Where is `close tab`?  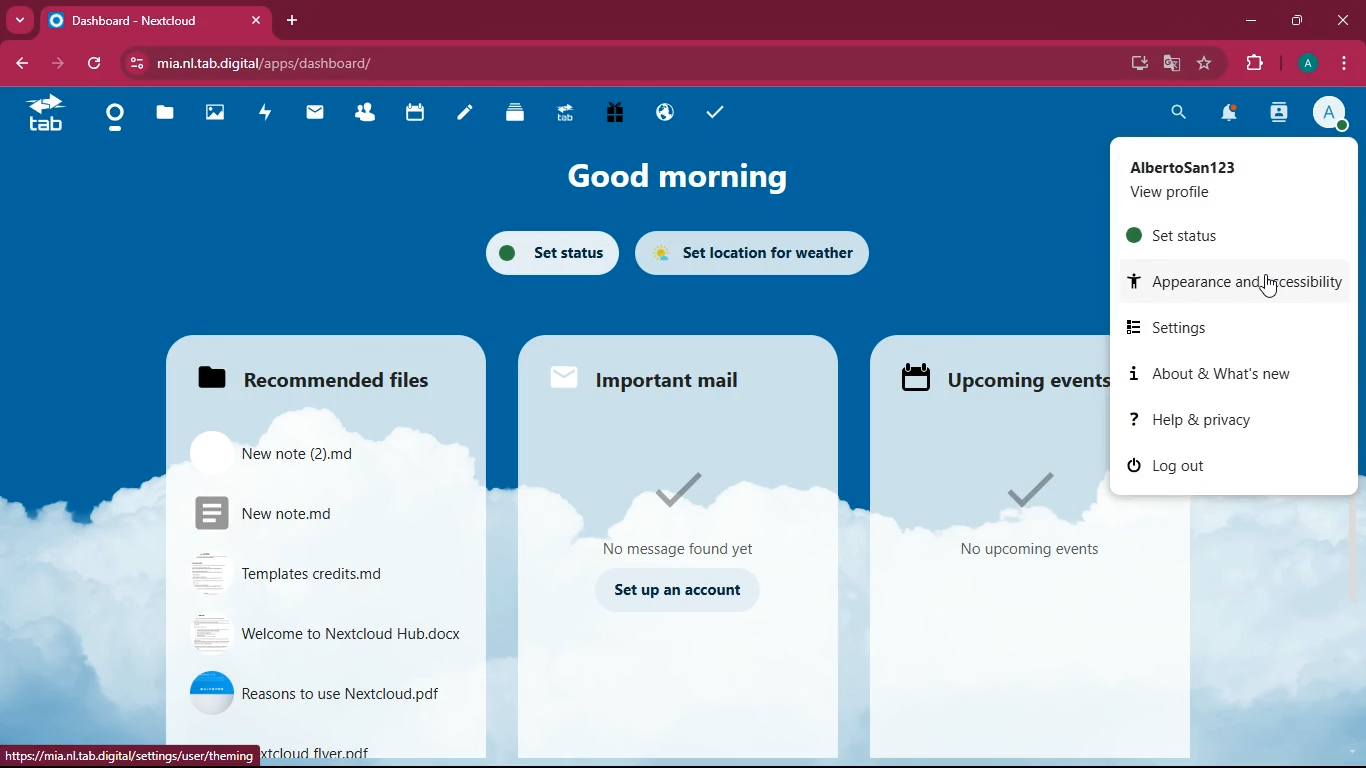 close tab is located at coordinates (256, 19).